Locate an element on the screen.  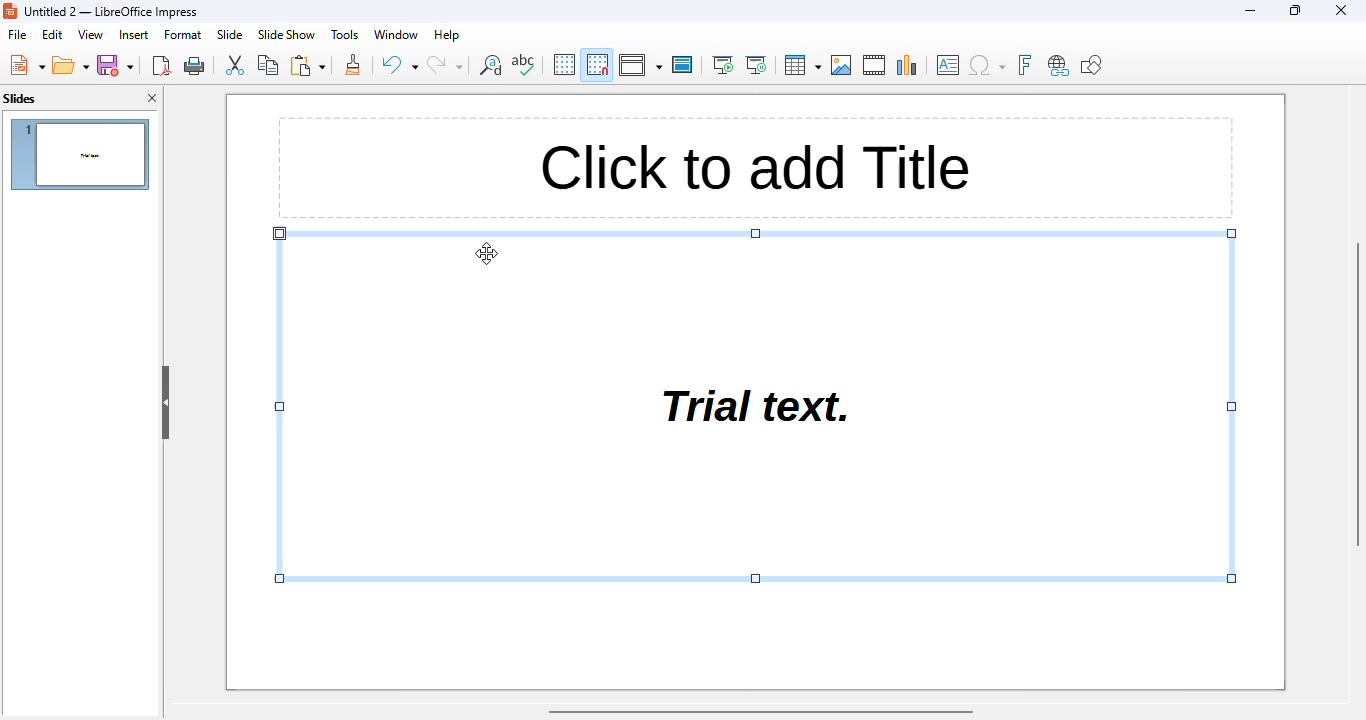
minimize is located at coordinates (1250, 10).